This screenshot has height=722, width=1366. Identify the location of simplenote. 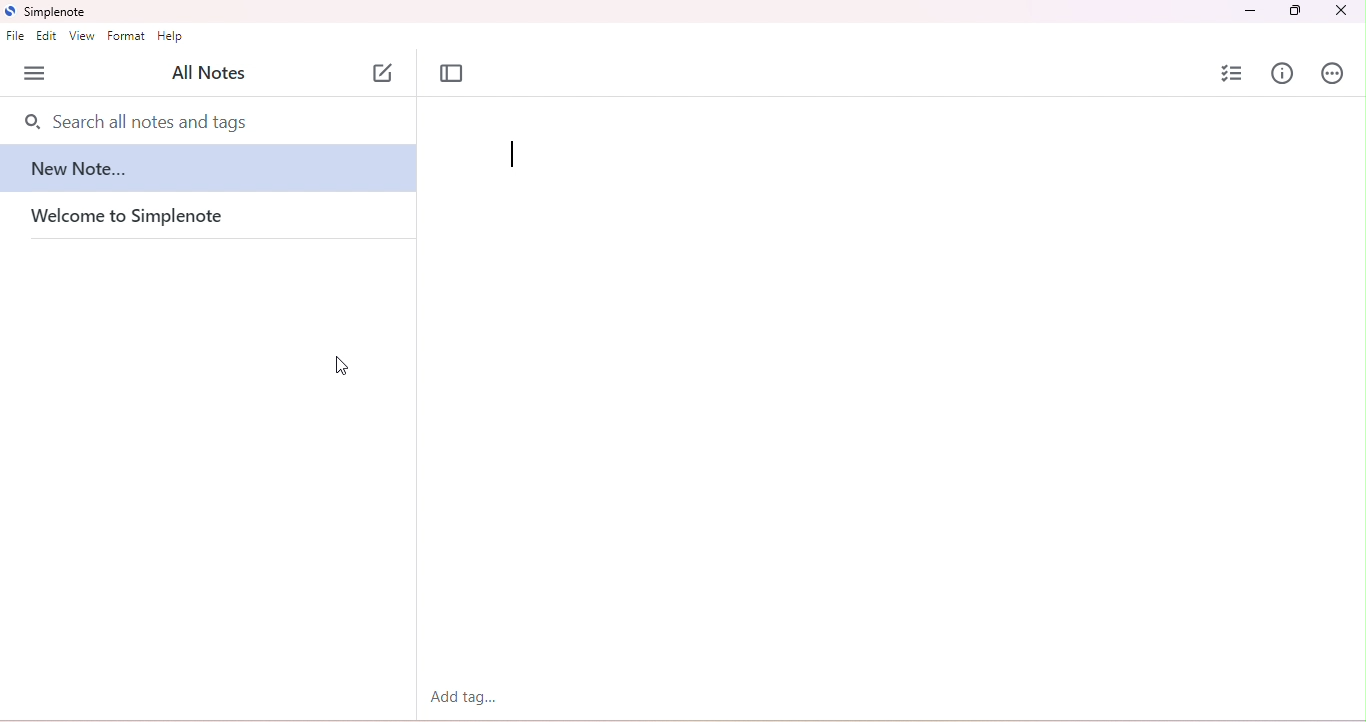
(49, 12).